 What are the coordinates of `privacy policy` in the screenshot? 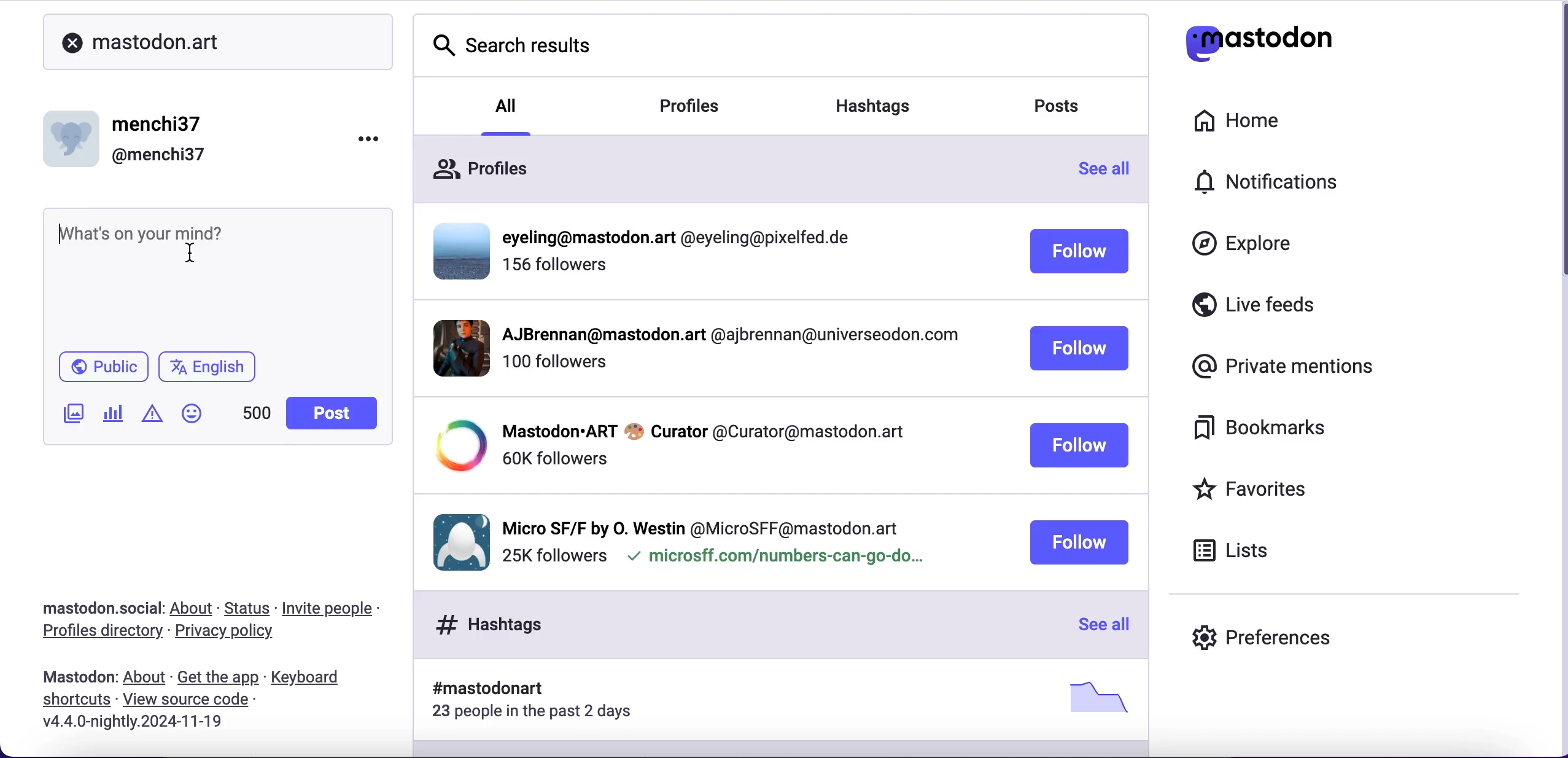 It's located at (233, 635).